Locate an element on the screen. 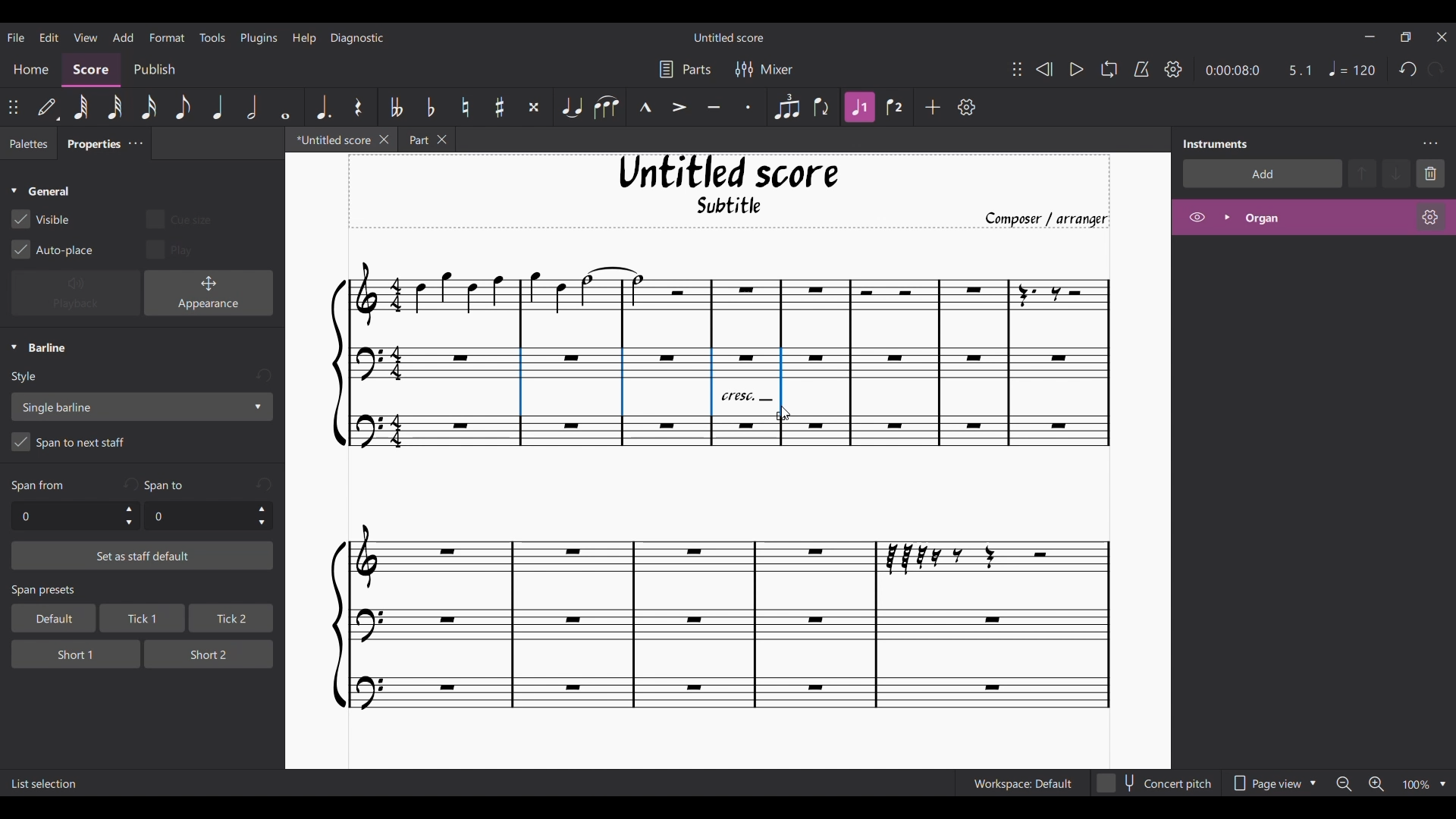  Minimize is located at coordinates (1370, 36).